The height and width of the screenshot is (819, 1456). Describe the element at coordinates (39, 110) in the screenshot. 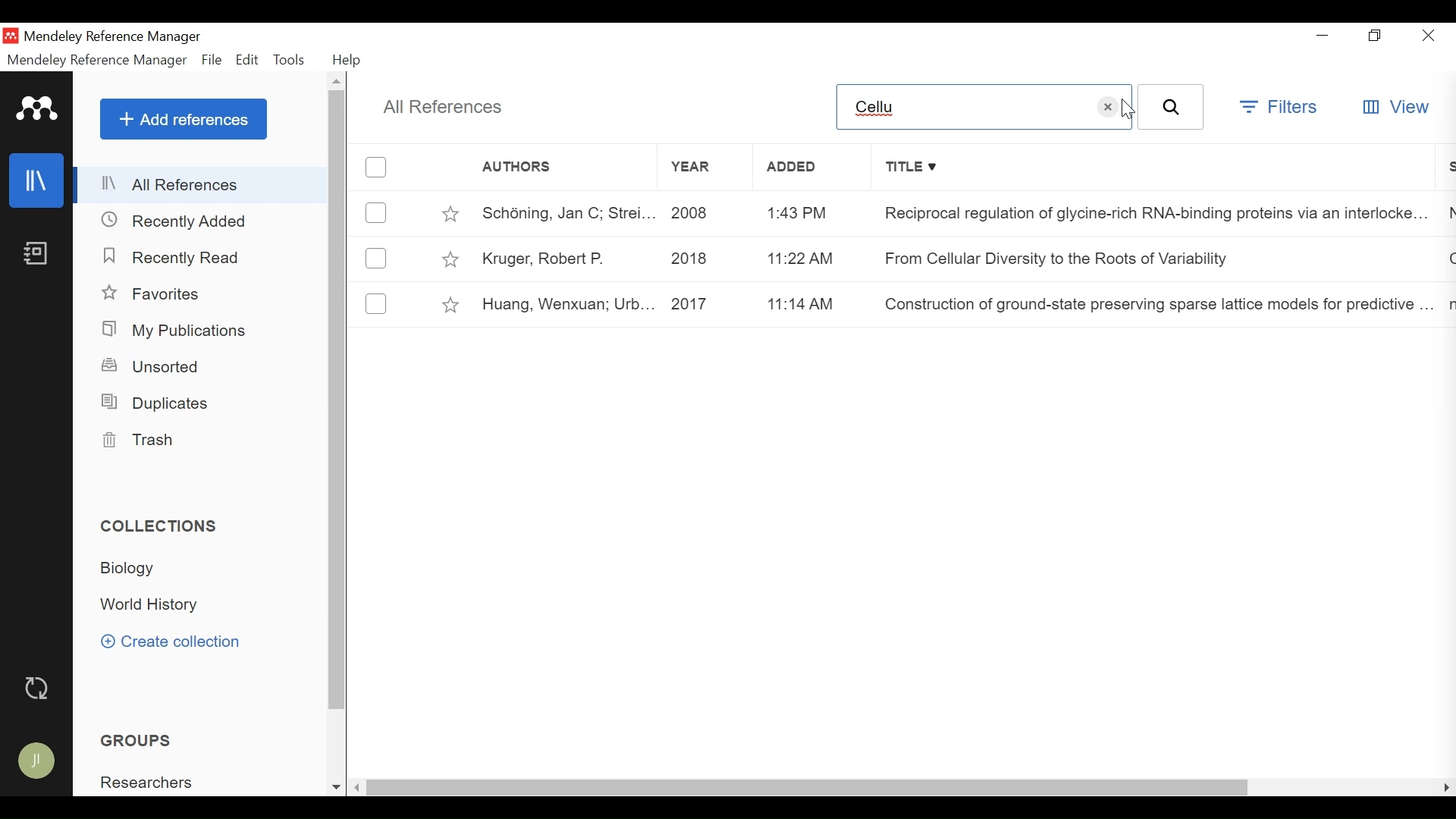

I see `Mendeley Logo` at that location.